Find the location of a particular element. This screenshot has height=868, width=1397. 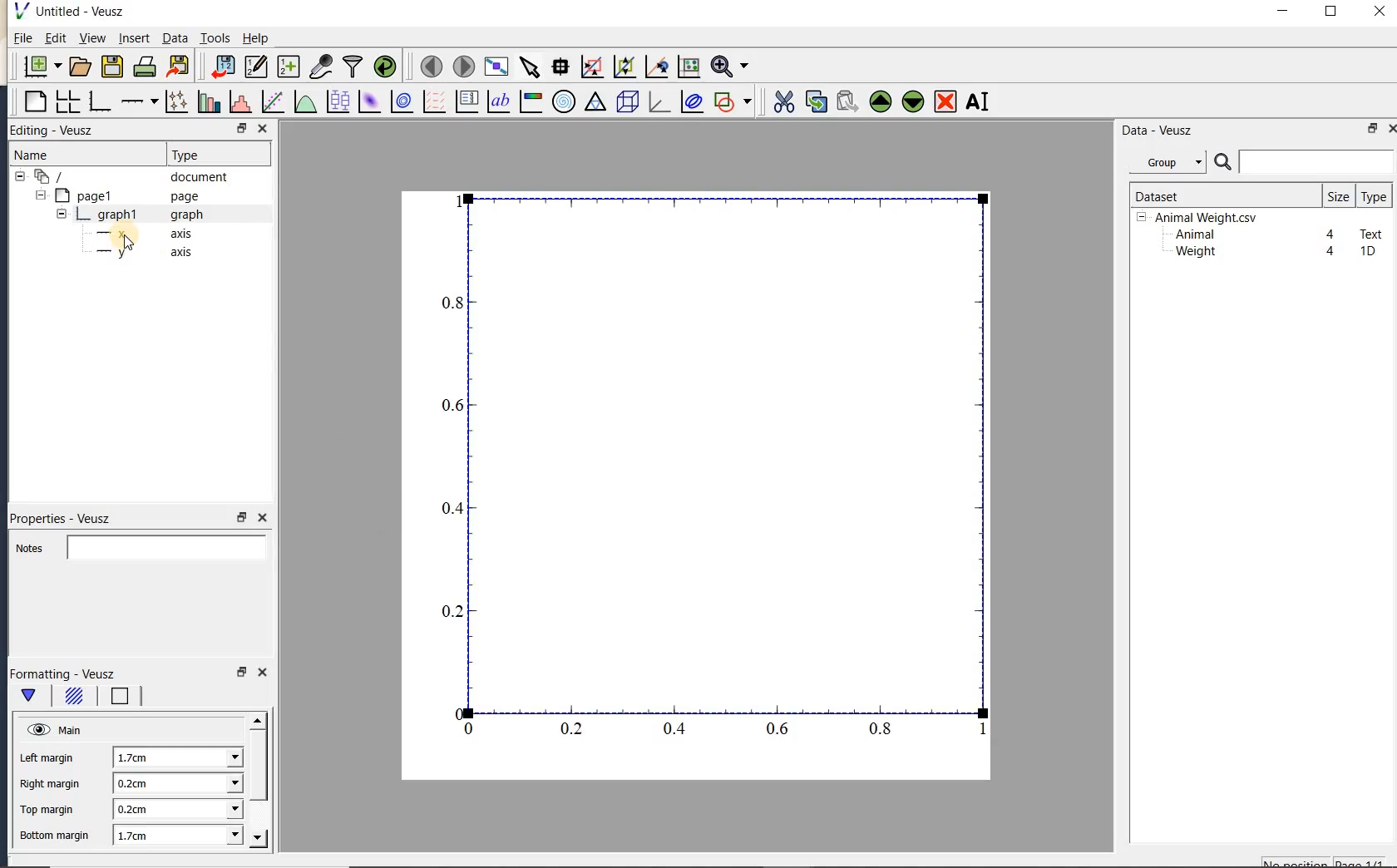

0.2cm is located at coordinates (176, 783).